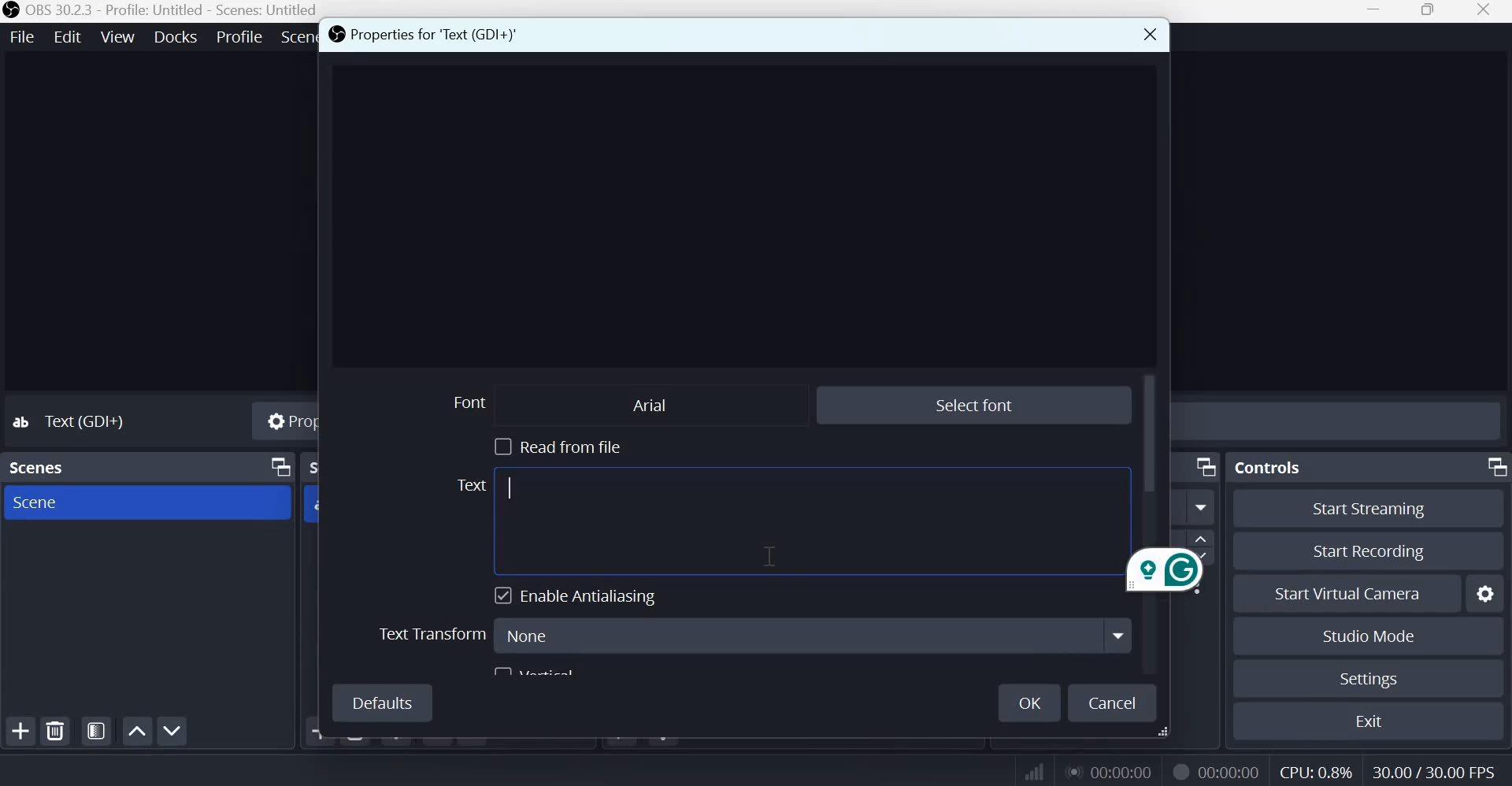  What do you see at coordinates (1114, 705) in the screenshot?
I see `Cancel` at bounding box center [1114, 705].